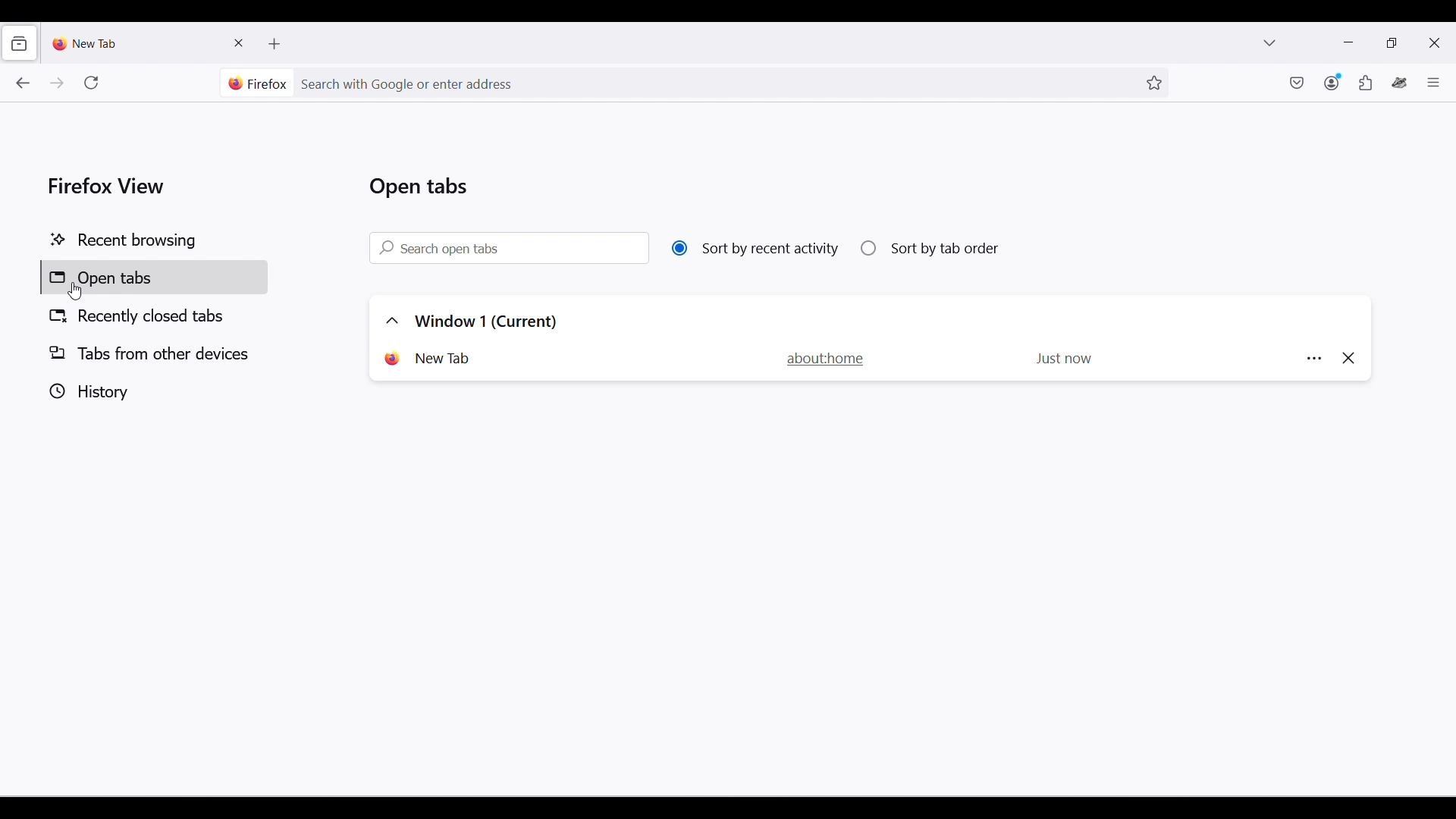 Image resolution: width=1456 pixels, height=819 pixels. What do you see at coordinates (419, 187) in the screenshot?
I see `Page title - Open tabs` at bounding box center [419, 187].